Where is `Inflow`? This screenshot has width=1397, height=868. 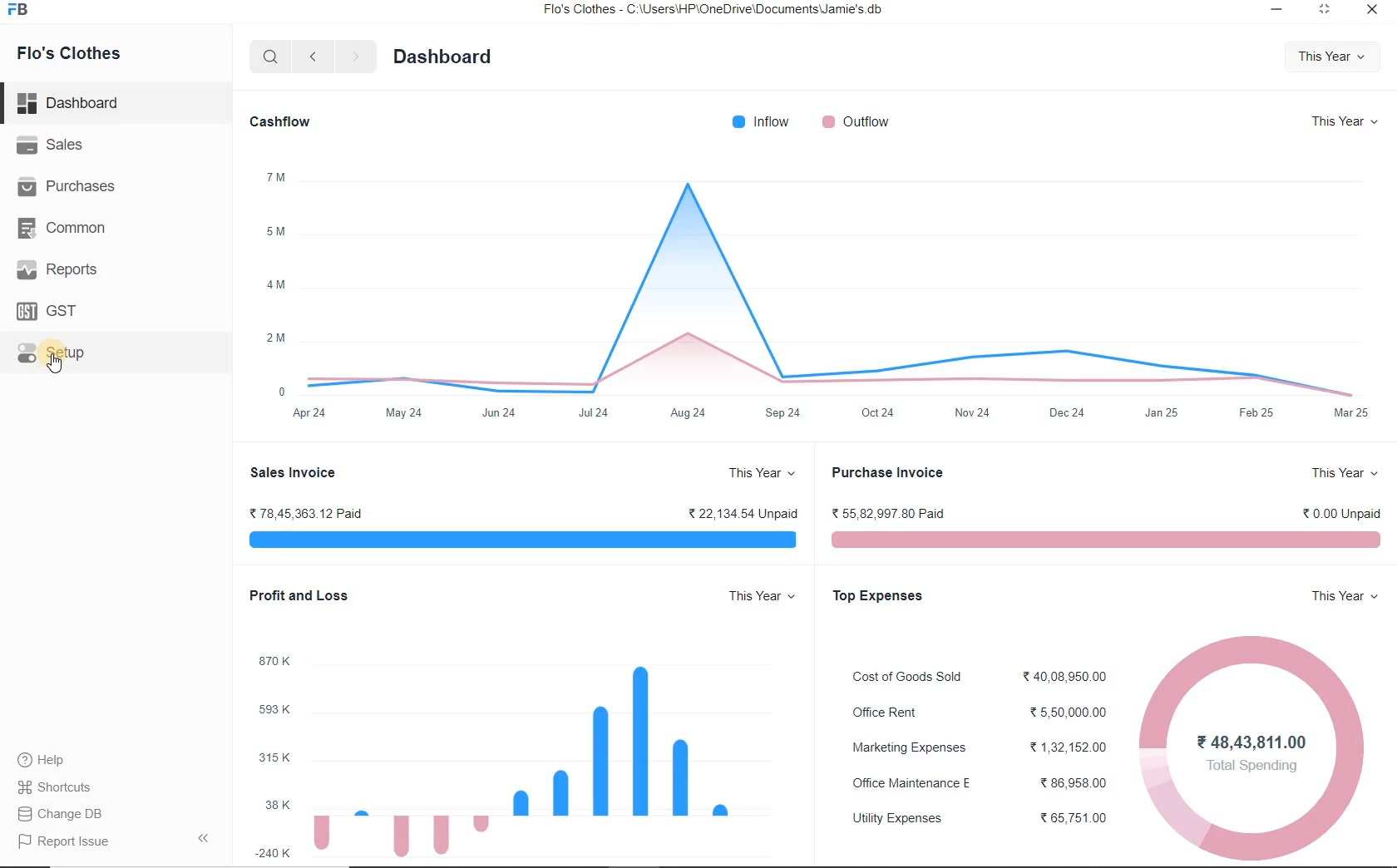 Inflow is located at coordinates (763, 121).